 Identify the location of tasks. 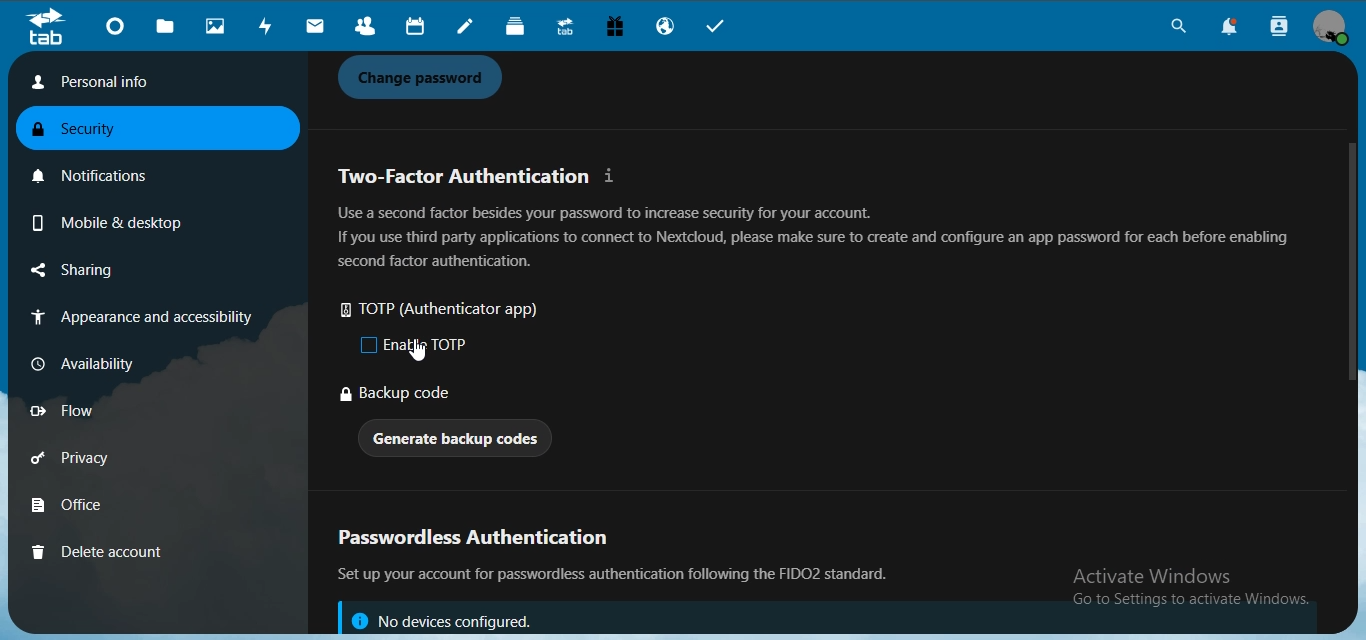
(723, 28).